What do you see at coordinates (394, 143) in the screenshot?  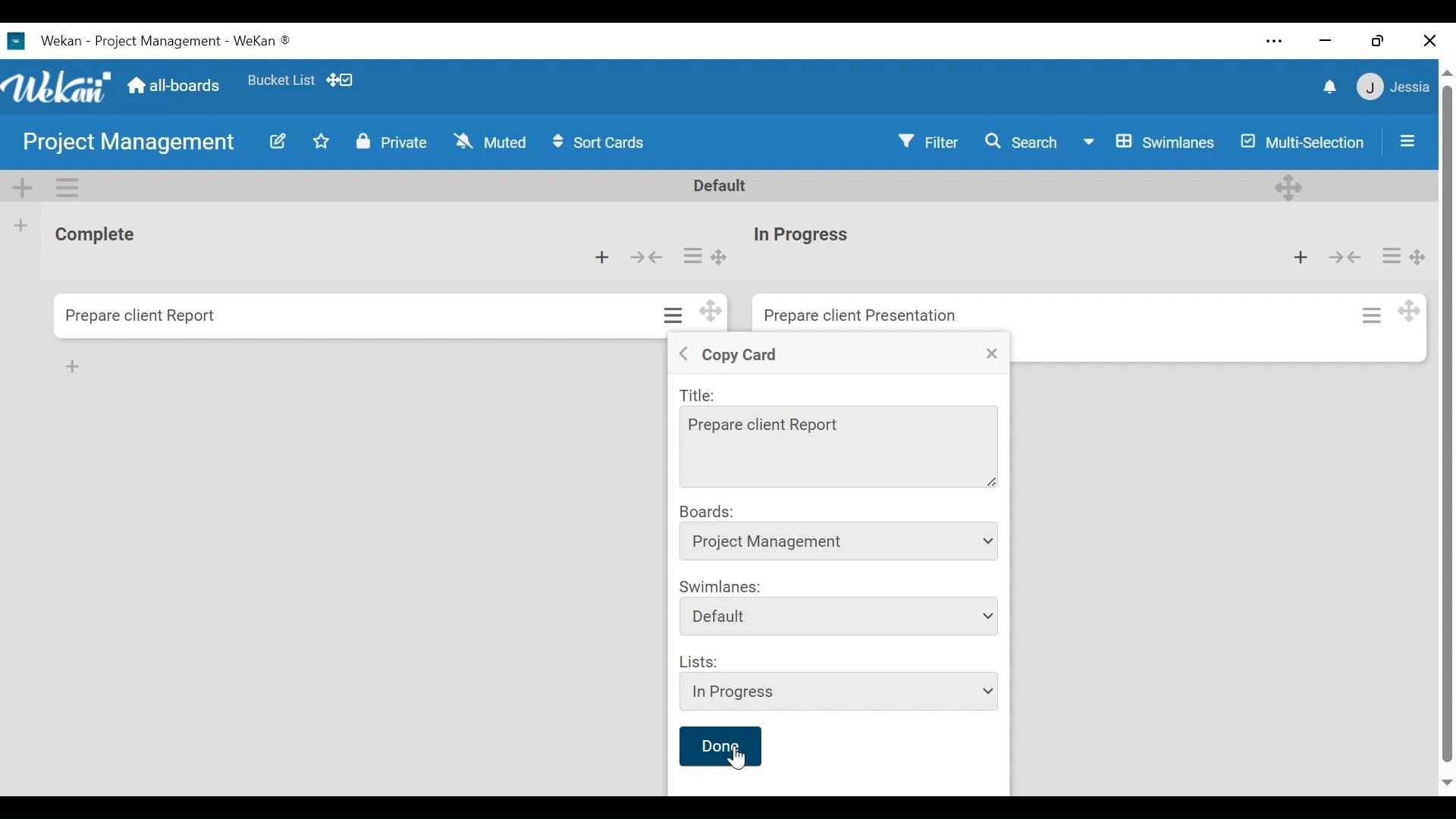 I see `Private` at bounding box center [394, 143].